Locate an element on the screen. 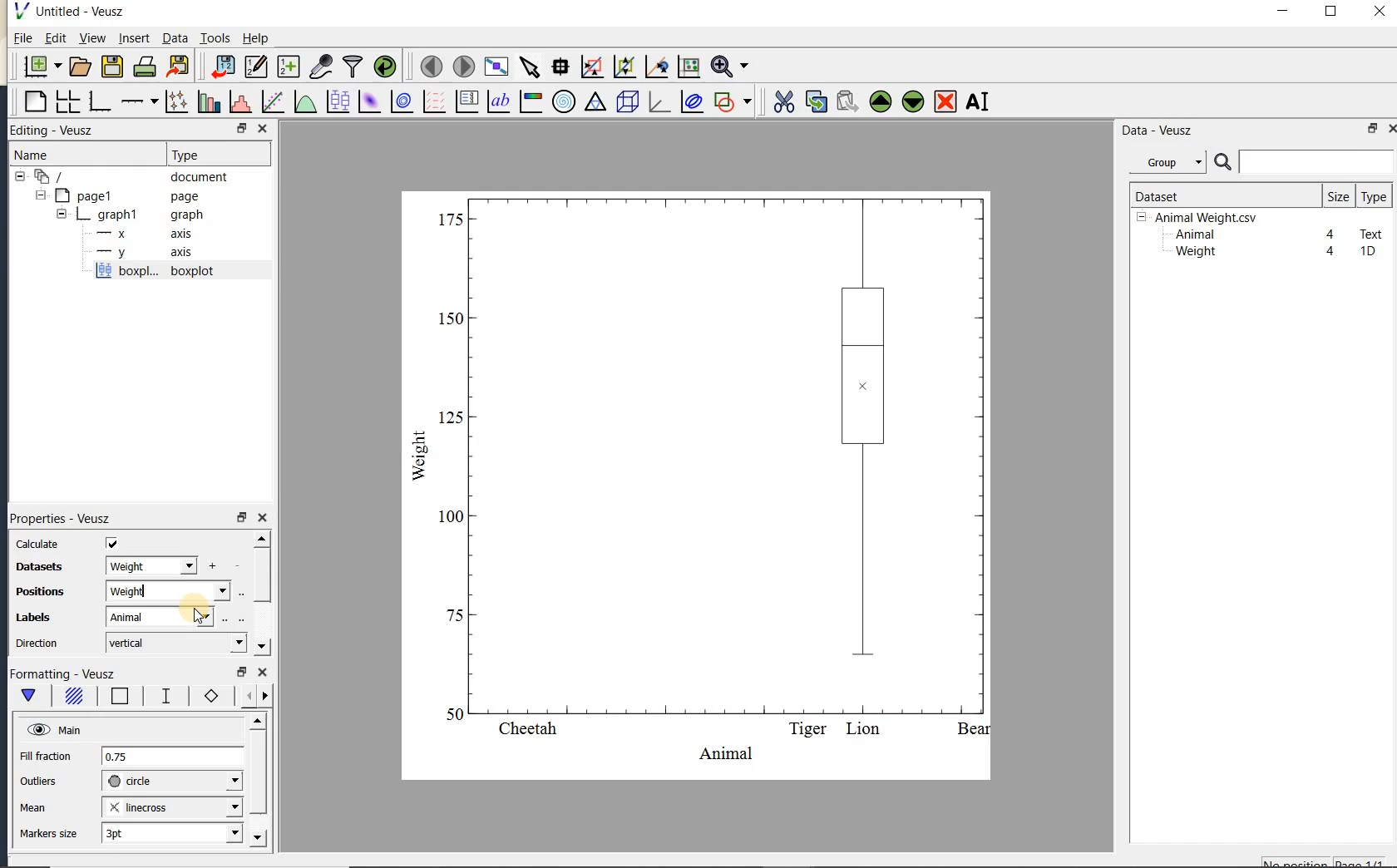 Image resolution: width=1397 pixels, height=868 pixels. import data into Veusz is located at coordinates (223, 67).